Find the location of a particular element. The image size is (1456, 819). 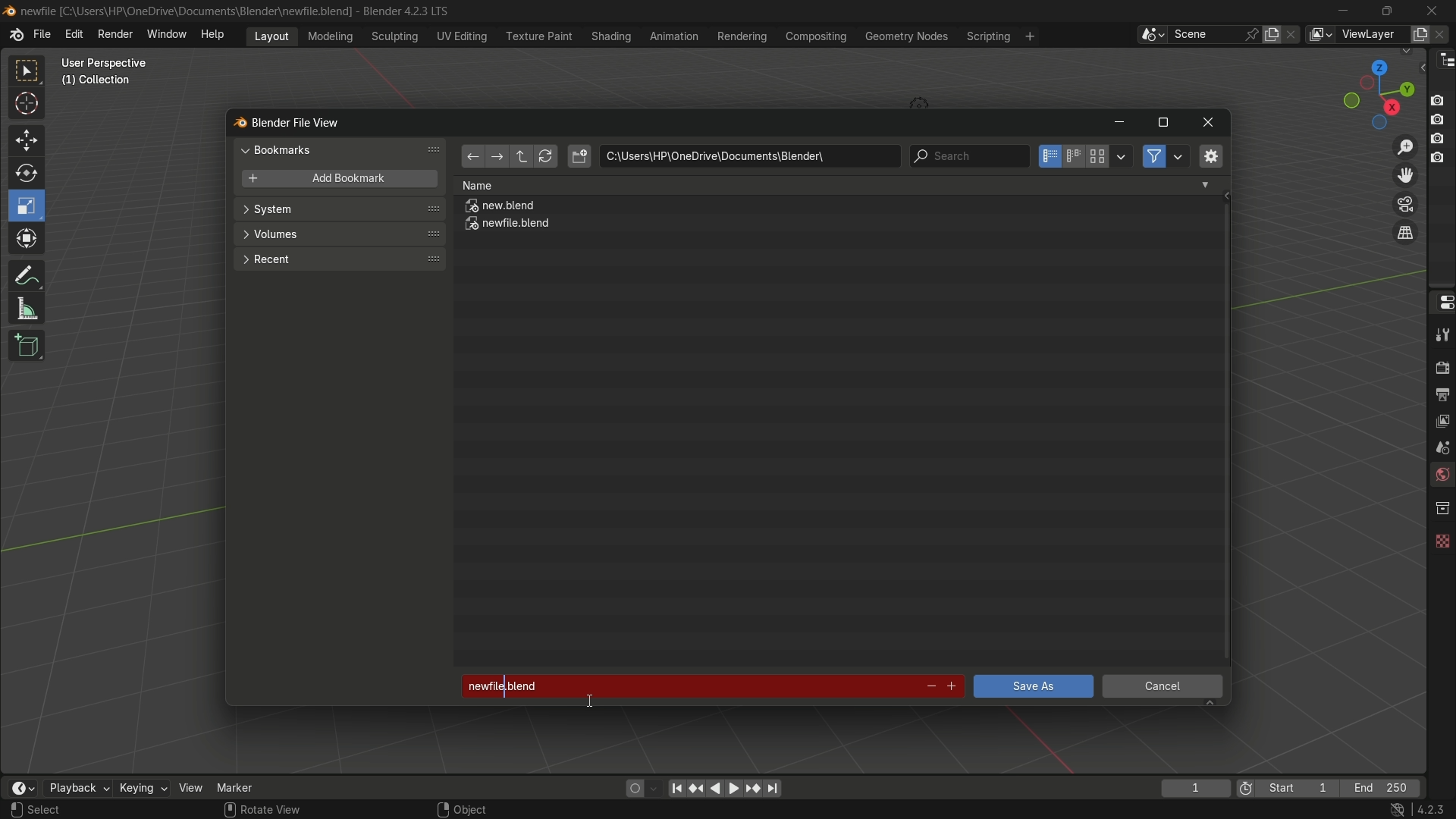

collections is located at coordinates (1442, 508).